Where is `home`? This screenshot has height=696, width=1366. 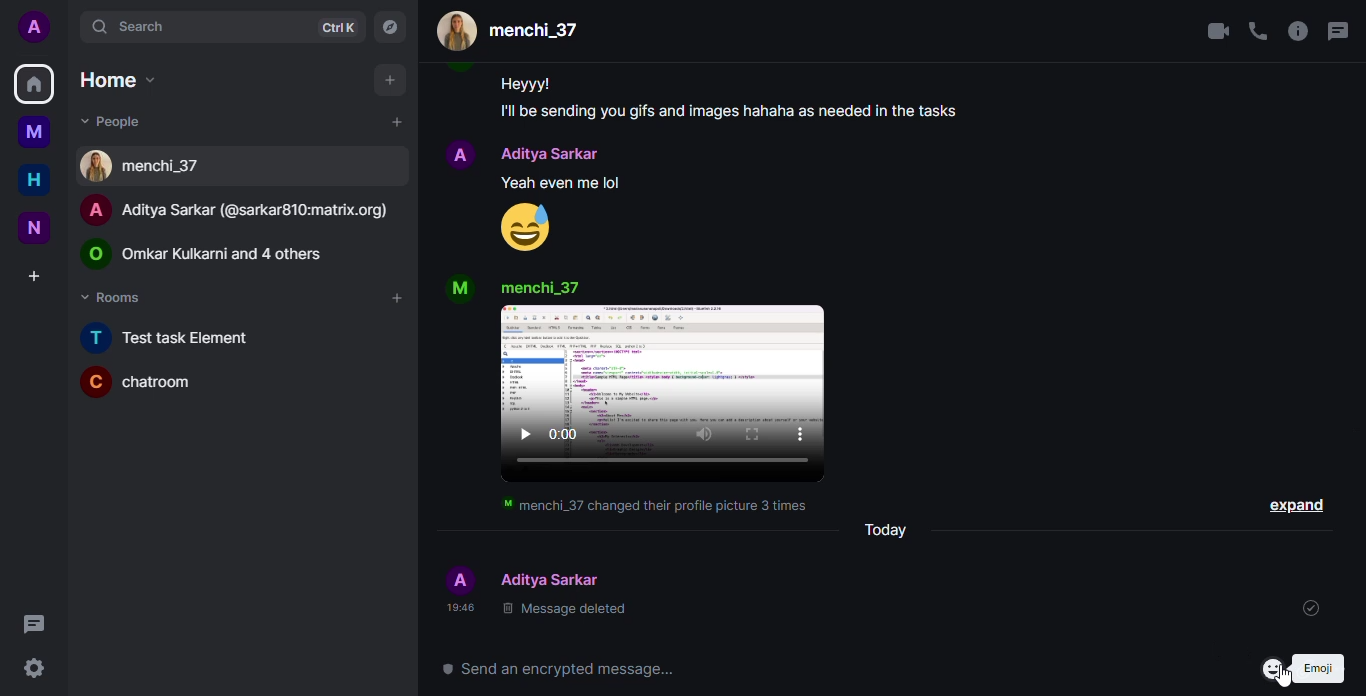 home is located at coordinates (112, 79).